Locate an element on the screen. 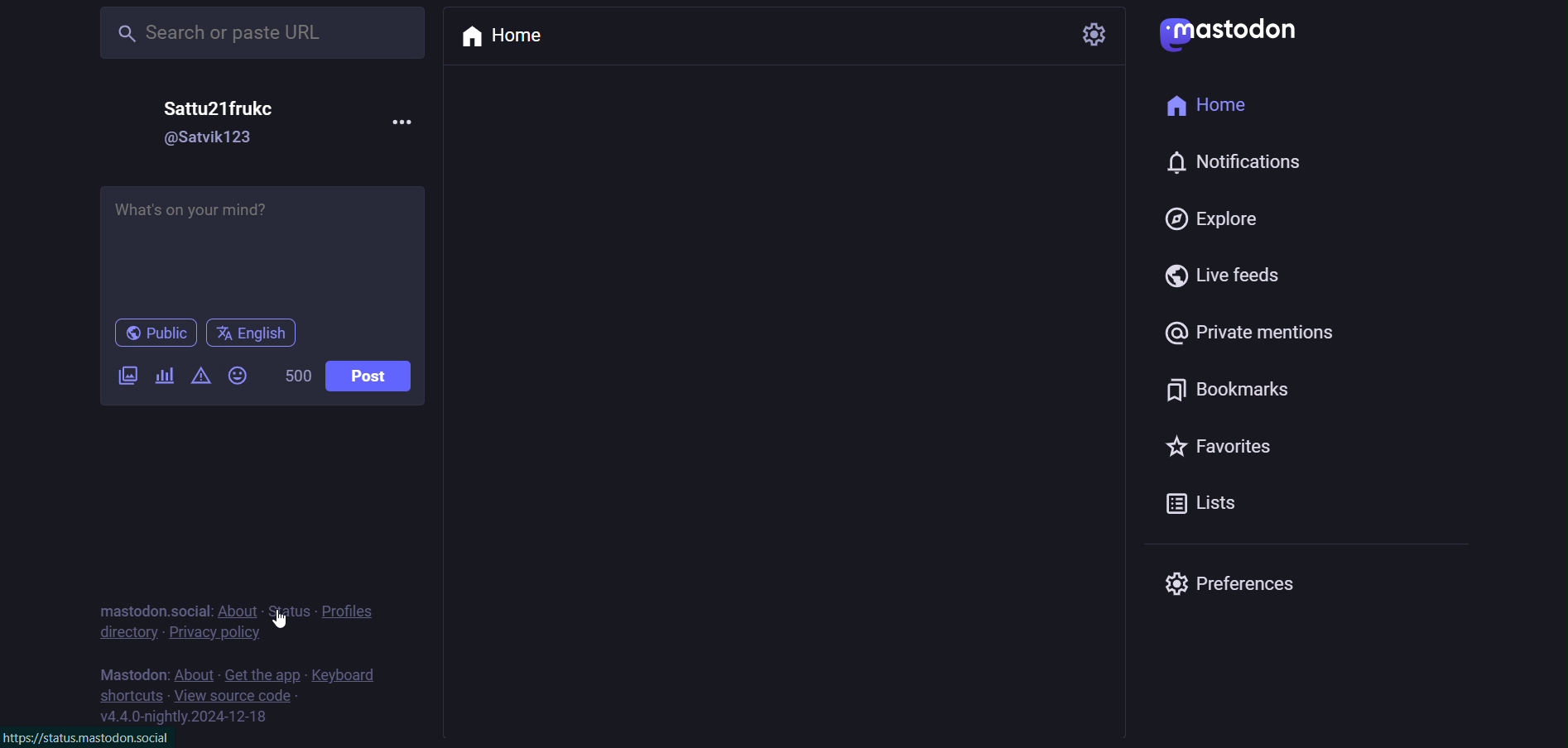 The width and height of the screenshot is (1568, 748). about is located at coordinates (238, 608).